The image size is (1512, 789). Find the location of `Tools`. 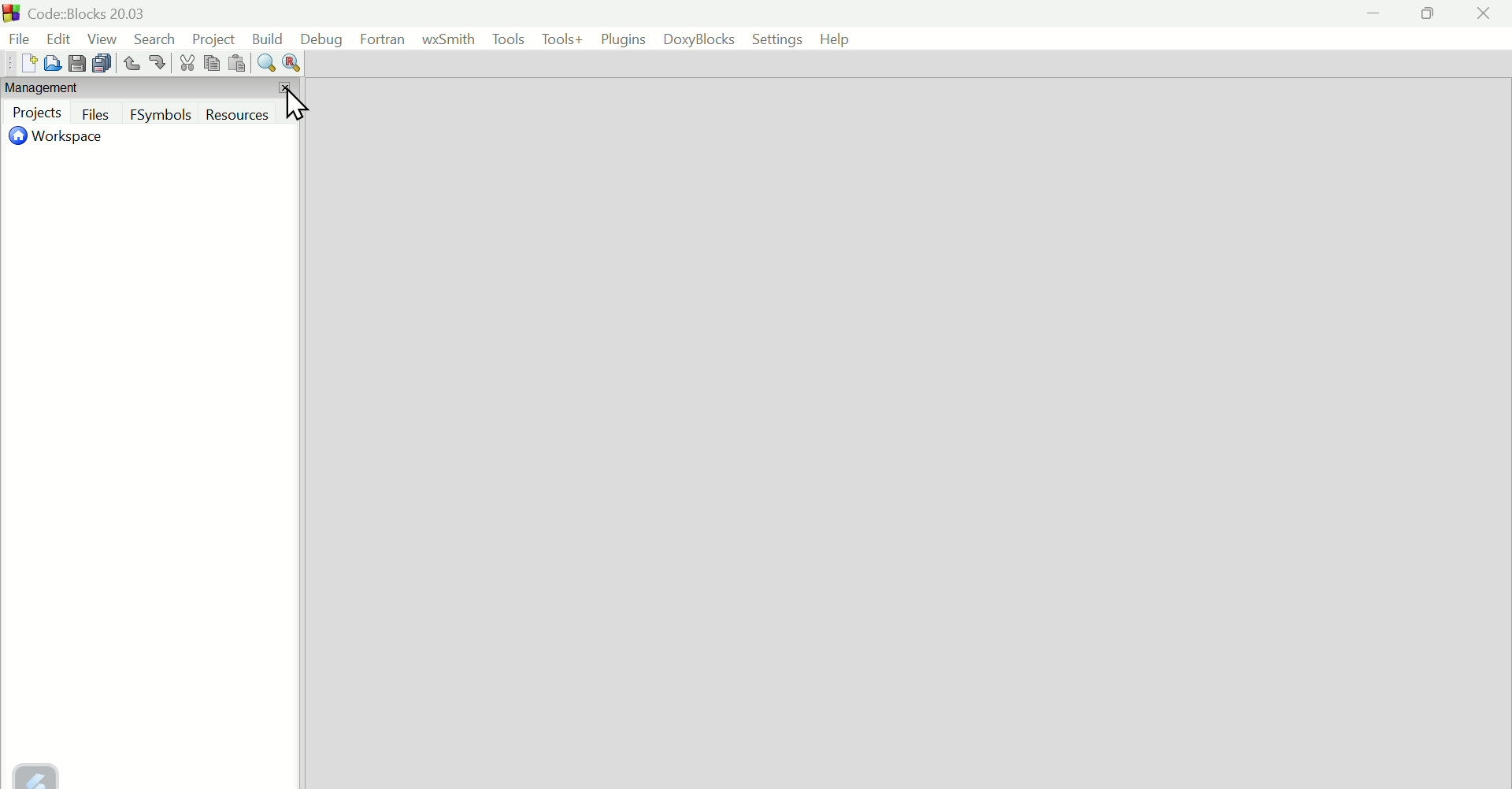

Tools is located at coordinates (506, 40).